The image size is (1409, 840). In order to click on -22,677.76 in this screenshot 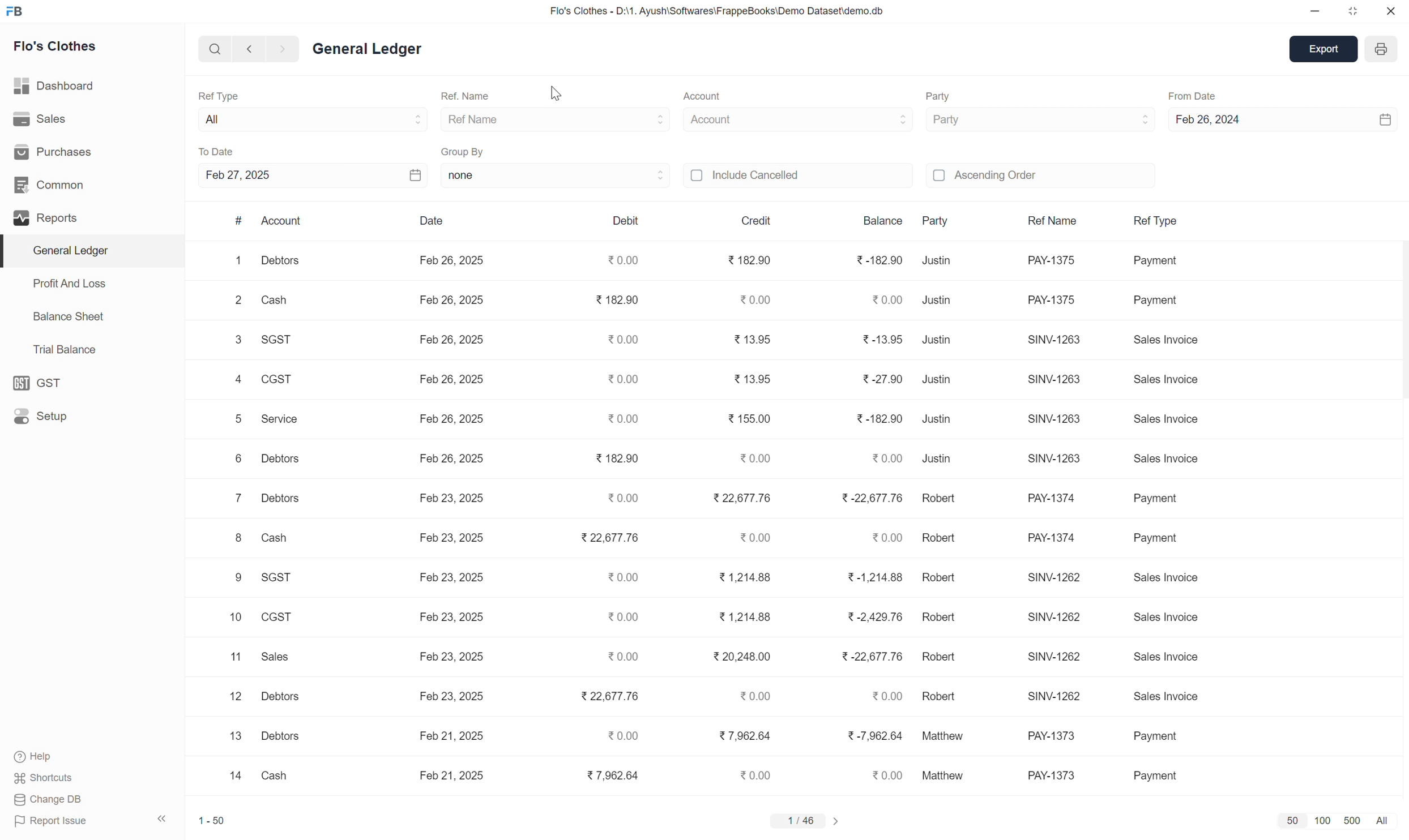, I will do `click(875, 499)`.